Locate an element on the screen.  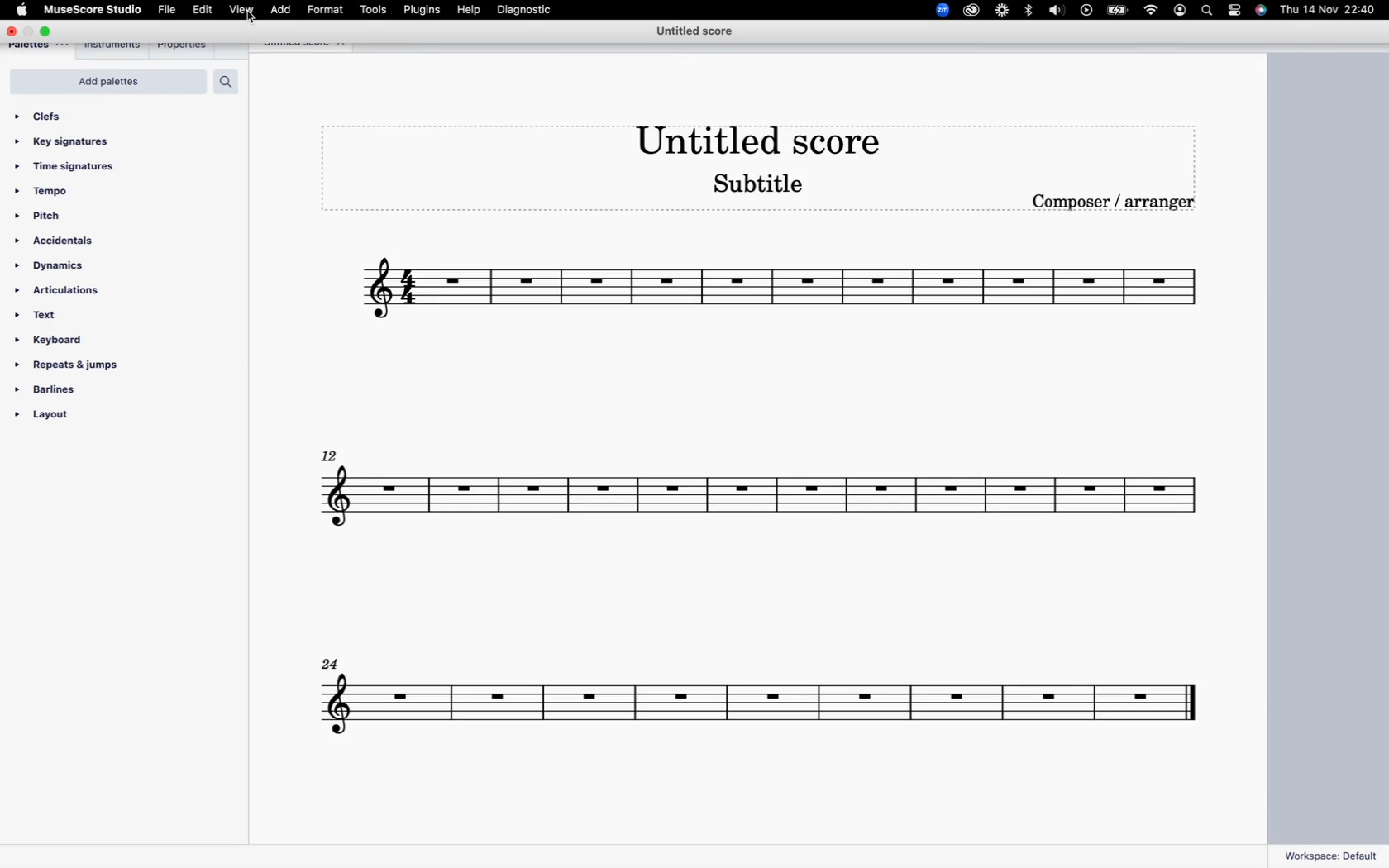
score title is located at coordinates (752, 136).